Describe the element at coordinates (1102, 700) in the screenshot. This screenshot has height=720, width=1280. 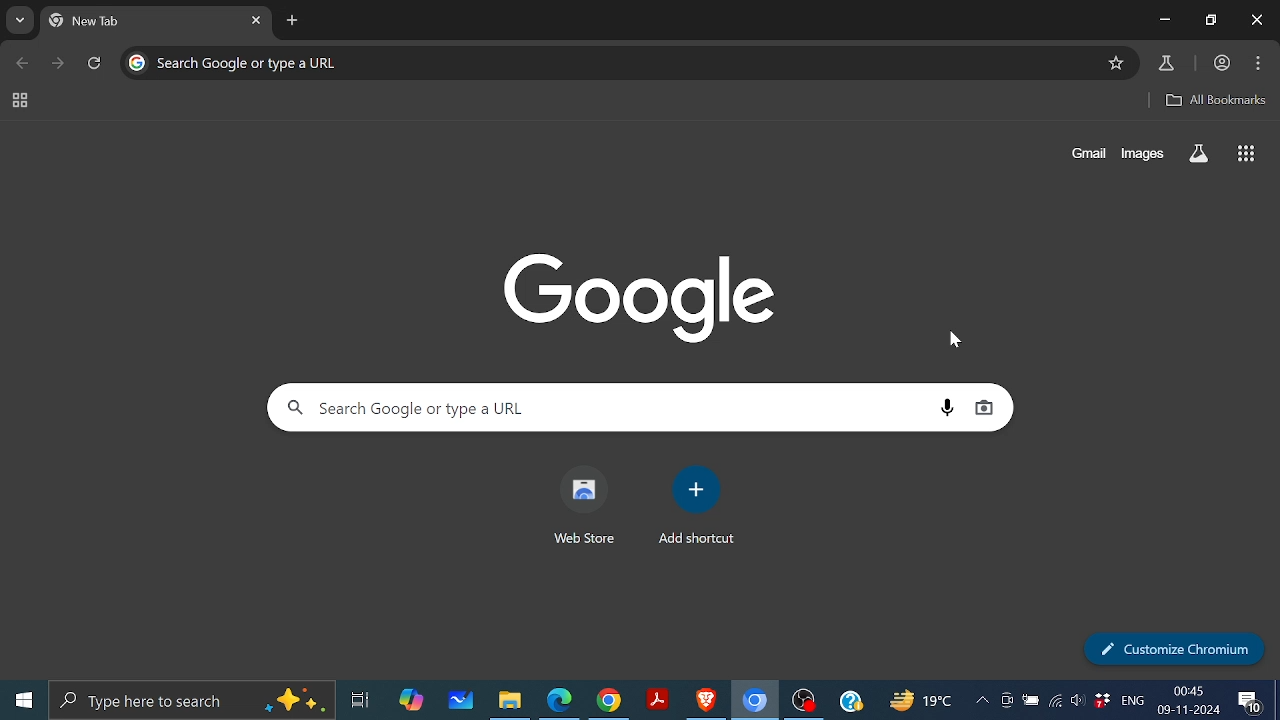
I see `Dropbox` at that location.